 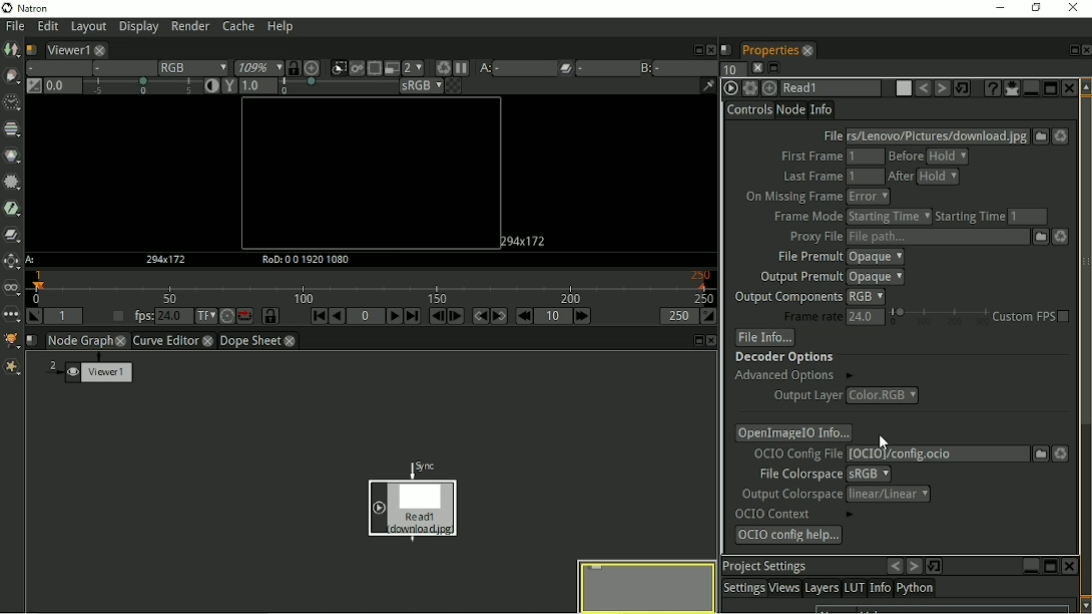 What do you see at coordinates (173, 341) in the screenshot?
I see `Curve Editor` at bounding box center [173, 341].